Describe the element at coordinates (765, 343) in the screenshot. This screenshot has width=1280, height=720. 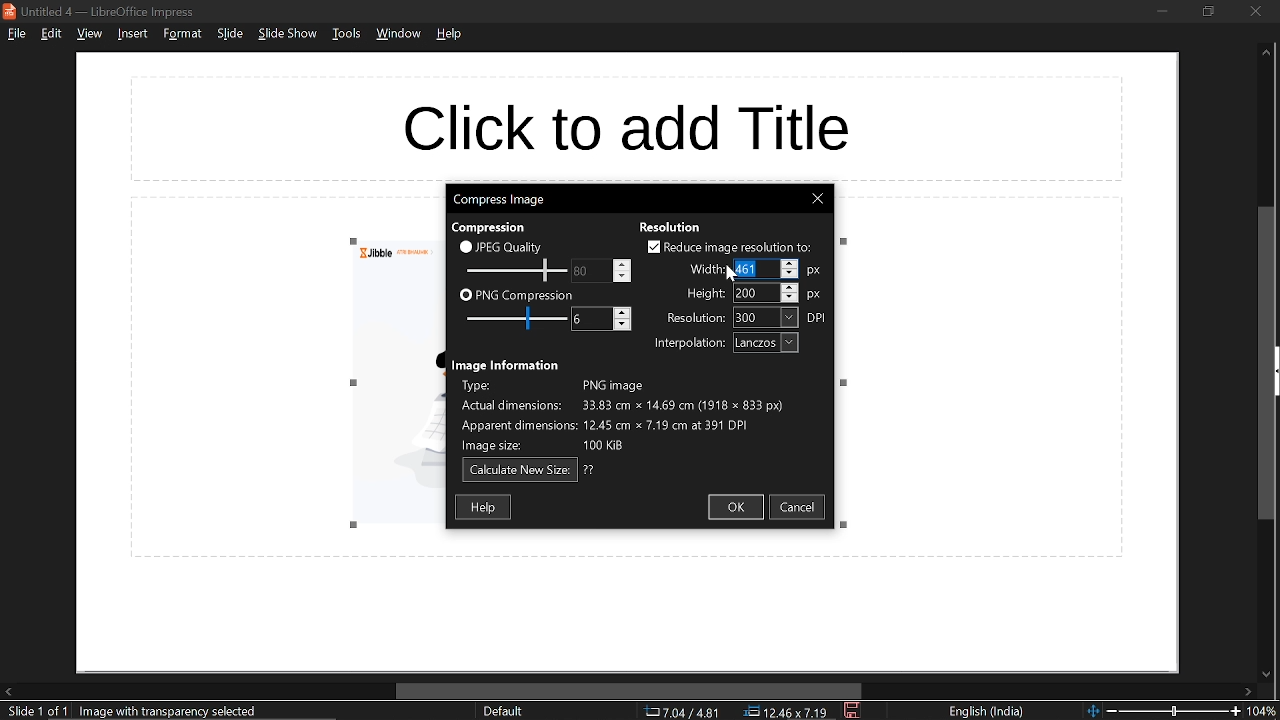
I see `interpolation` at that location.